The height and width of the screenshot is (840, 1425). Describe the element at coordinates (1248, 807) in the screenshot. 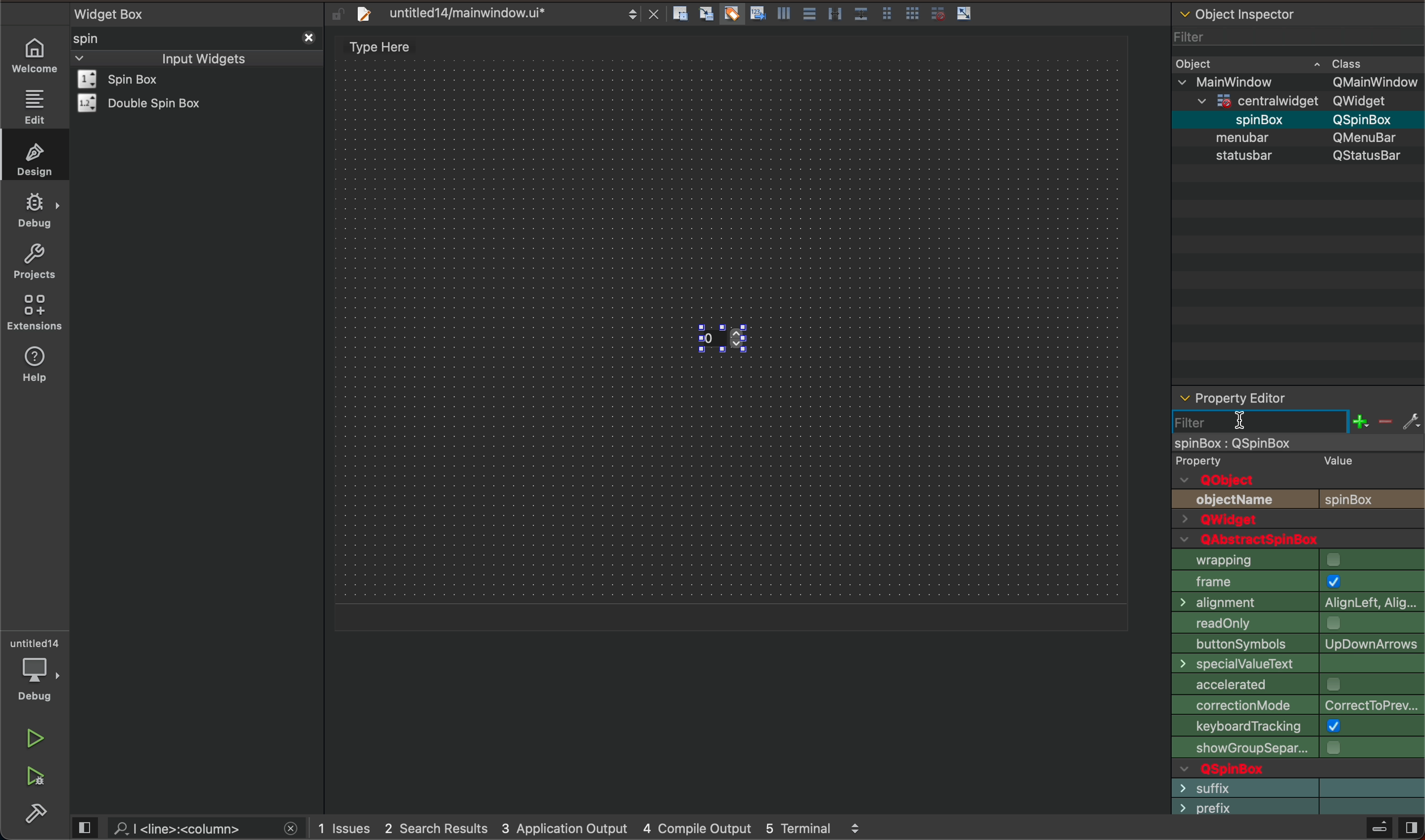

I see `text` at that location.